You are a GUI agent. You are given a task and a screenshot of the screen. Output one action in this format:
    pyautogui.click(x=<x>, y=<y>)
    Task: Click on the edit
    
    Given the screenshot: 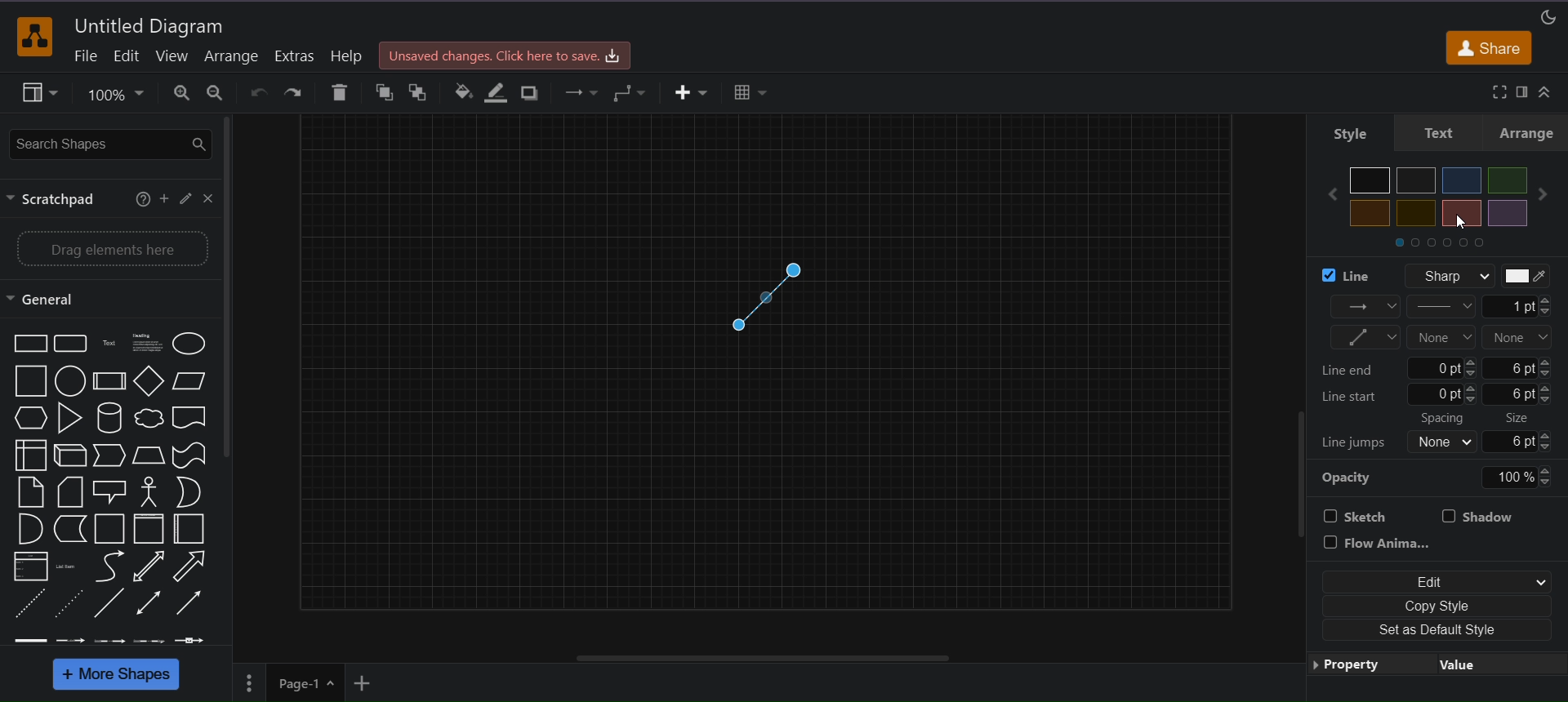 What is the action you would take?
    pyautogui.click(x=1433, y=581)
    